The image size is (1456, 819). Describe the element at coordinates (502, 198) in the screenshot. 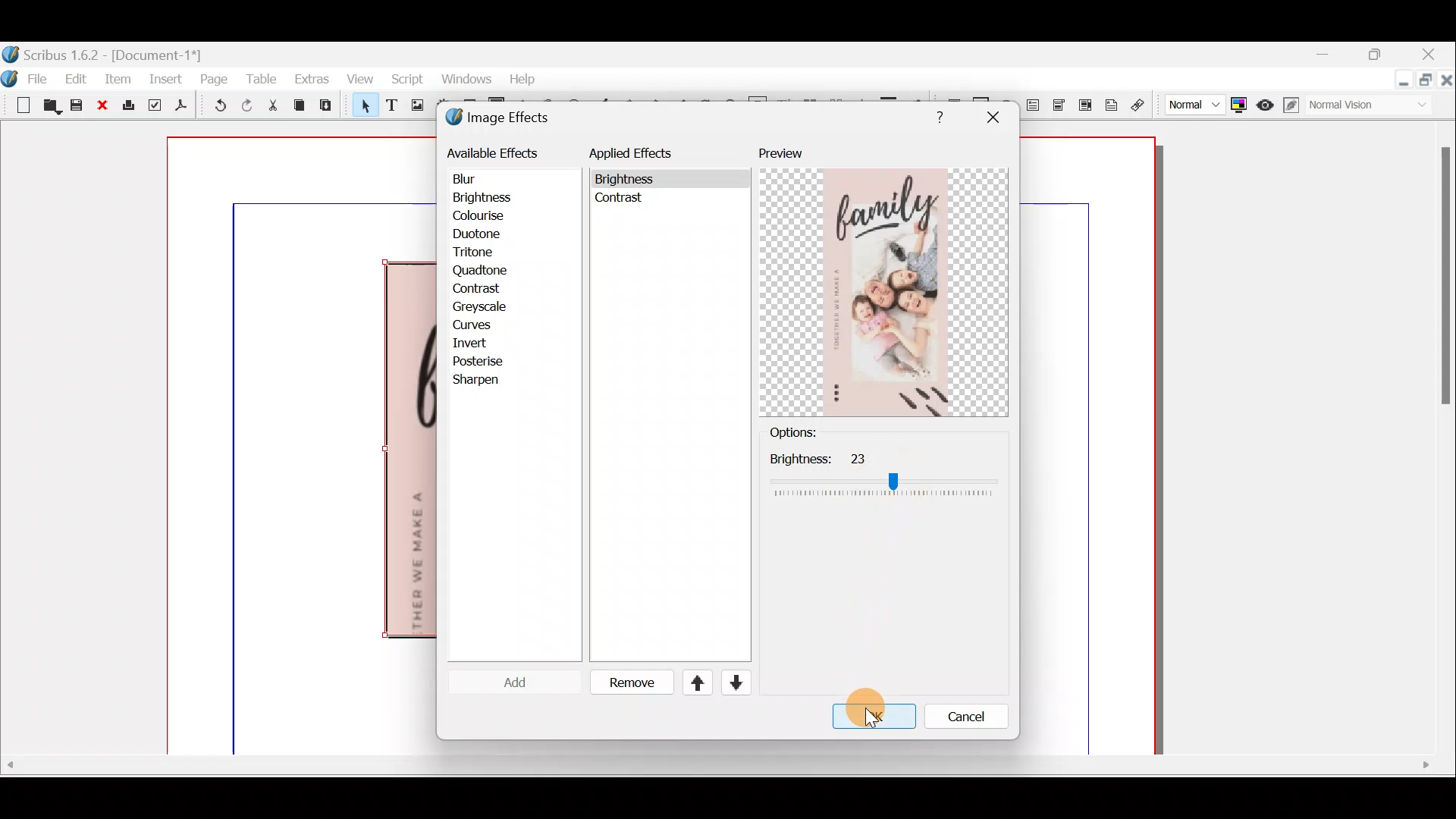

I see `Brightness` at that location.